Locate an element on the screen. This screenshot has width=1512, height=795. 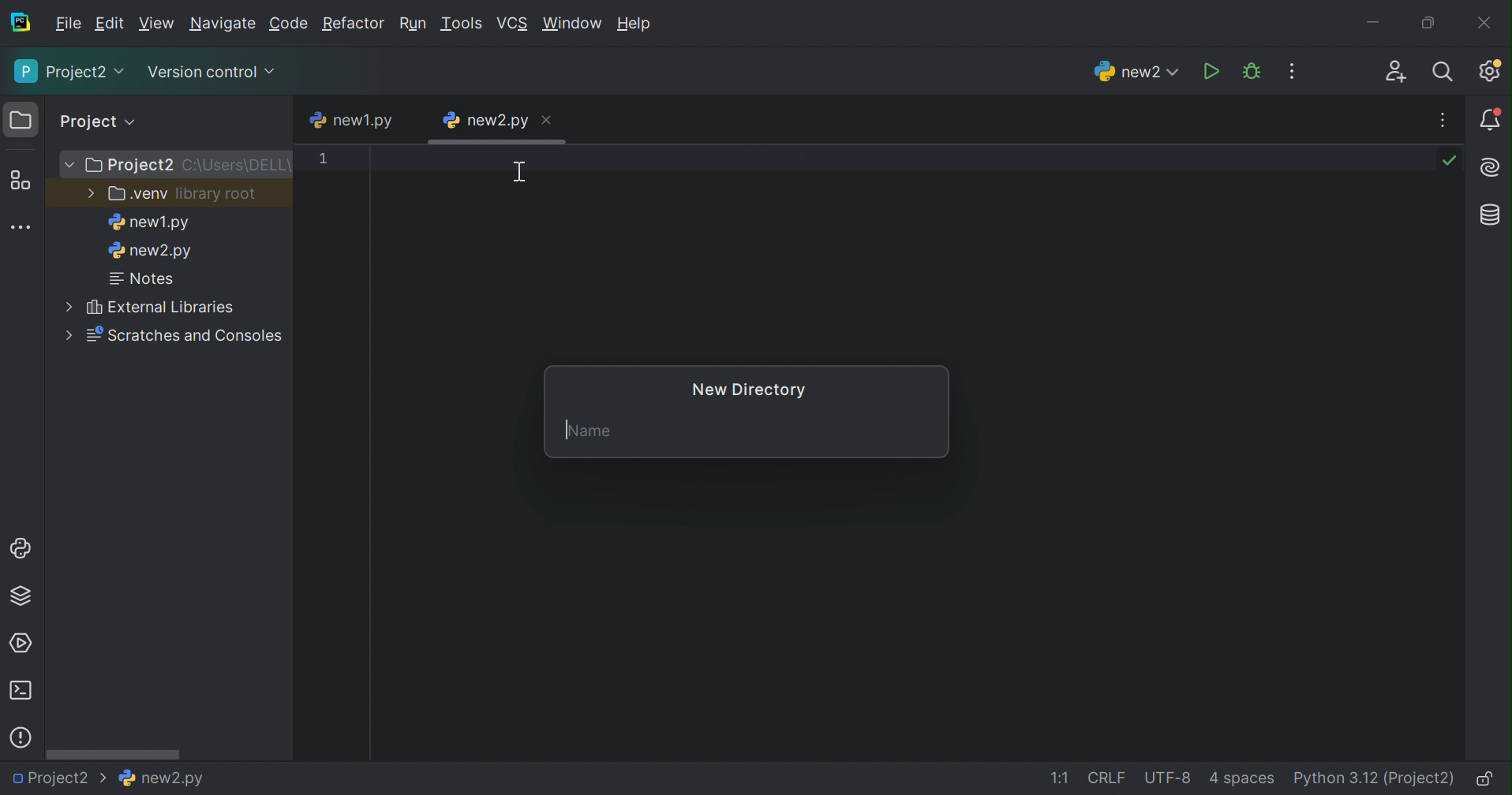
Edit is located at coordinates (110, 24).